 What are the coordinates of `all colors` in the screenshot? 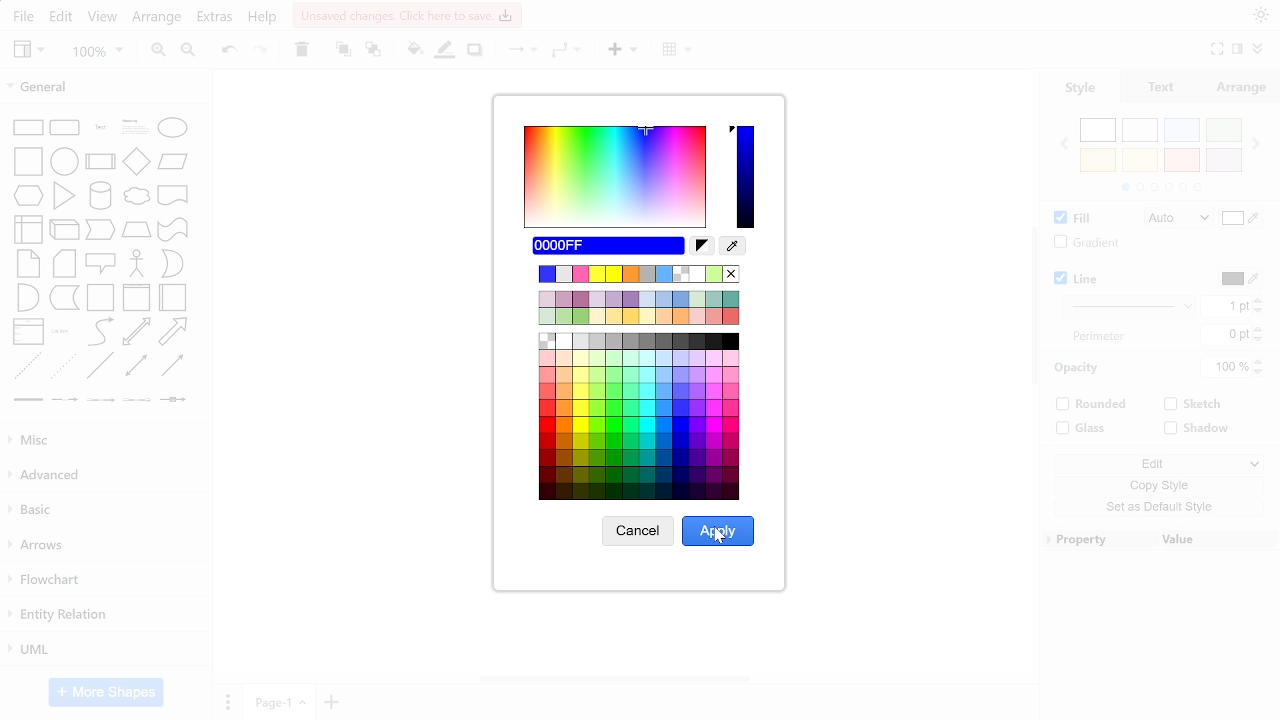 It's located at (637, 416).